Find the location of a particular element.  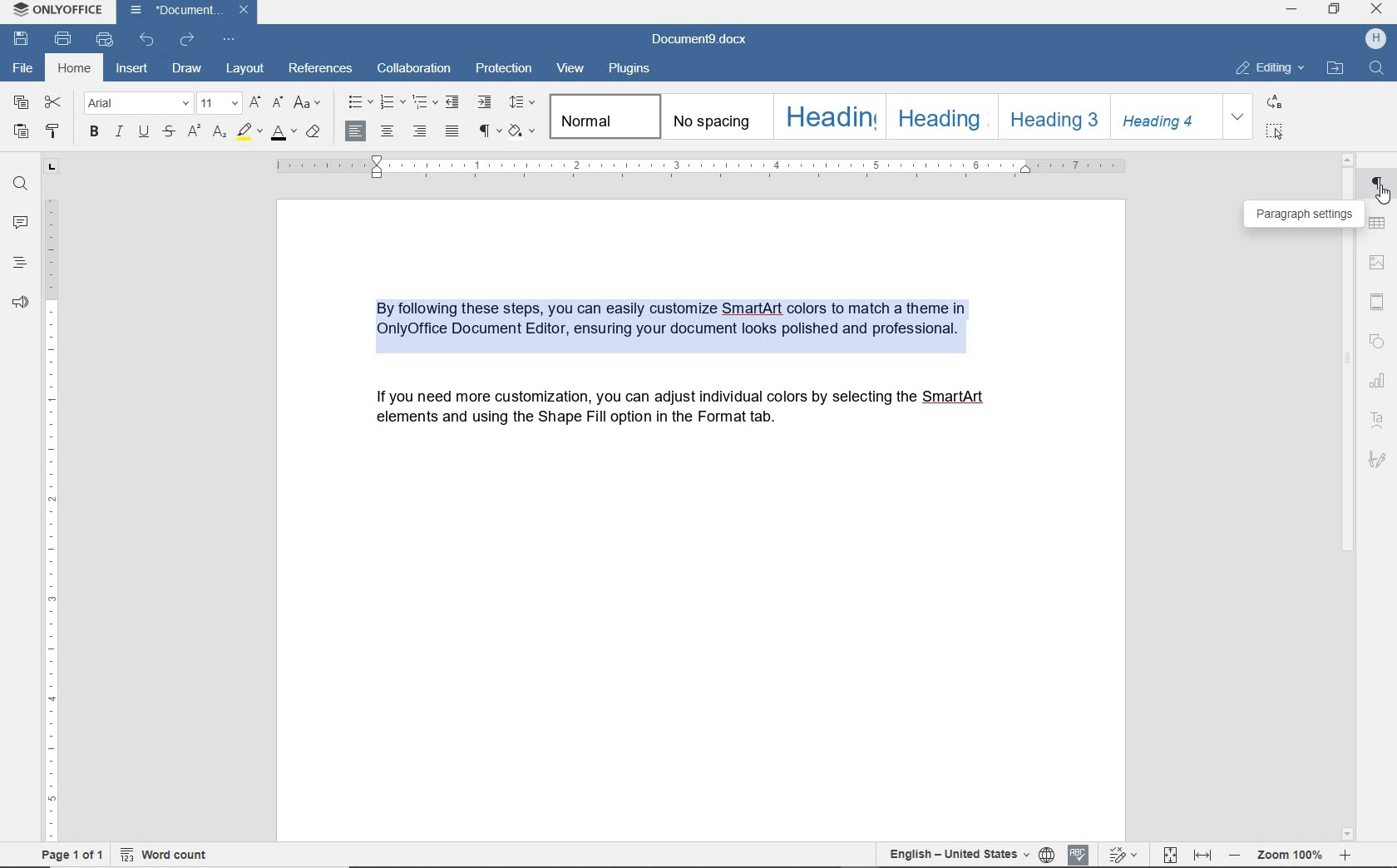

text language is located at coordinates (955, 851).